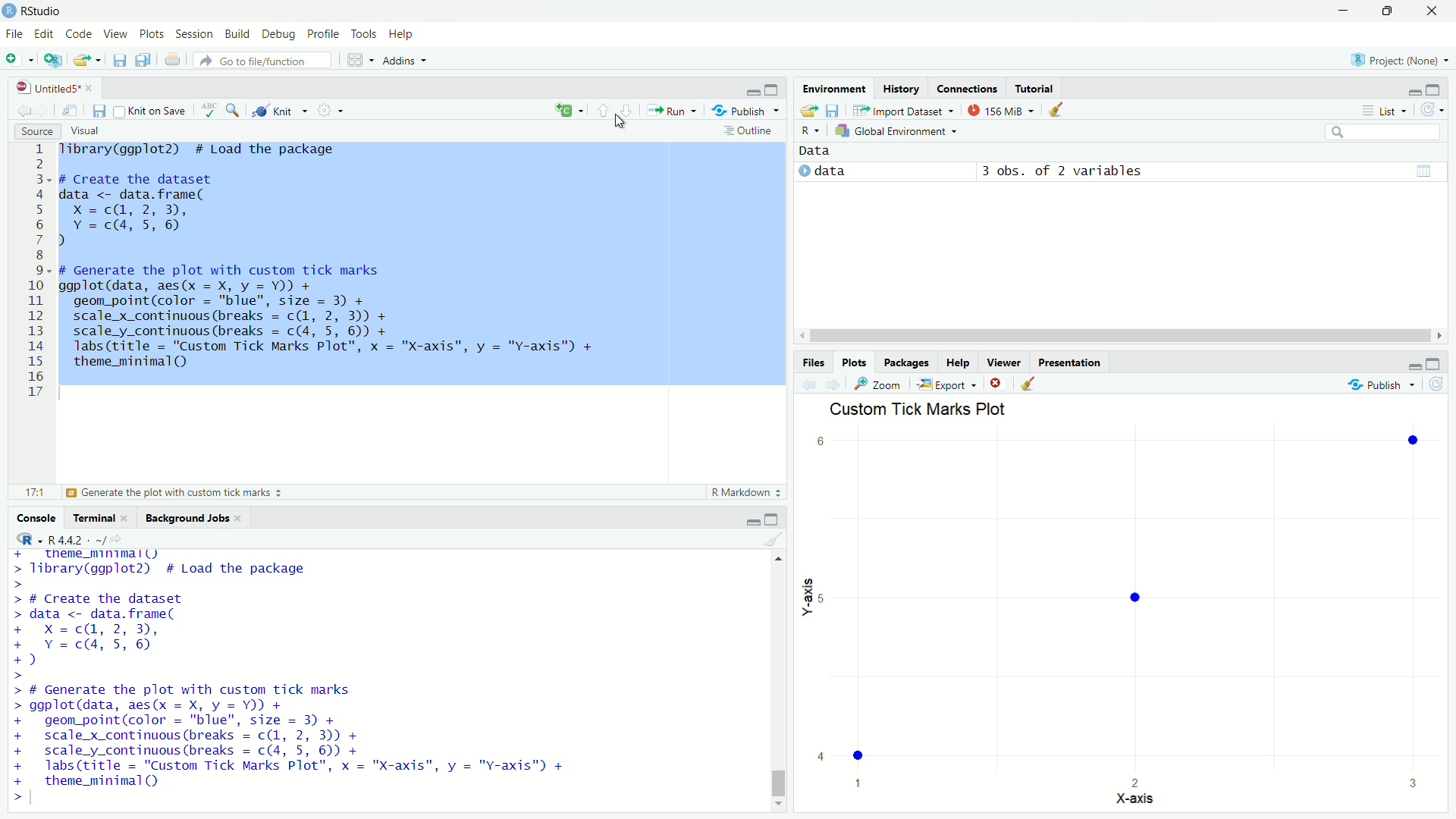 The height and width of the screenshot is (819, 1456). I want to click on debug, so click(280, 34).